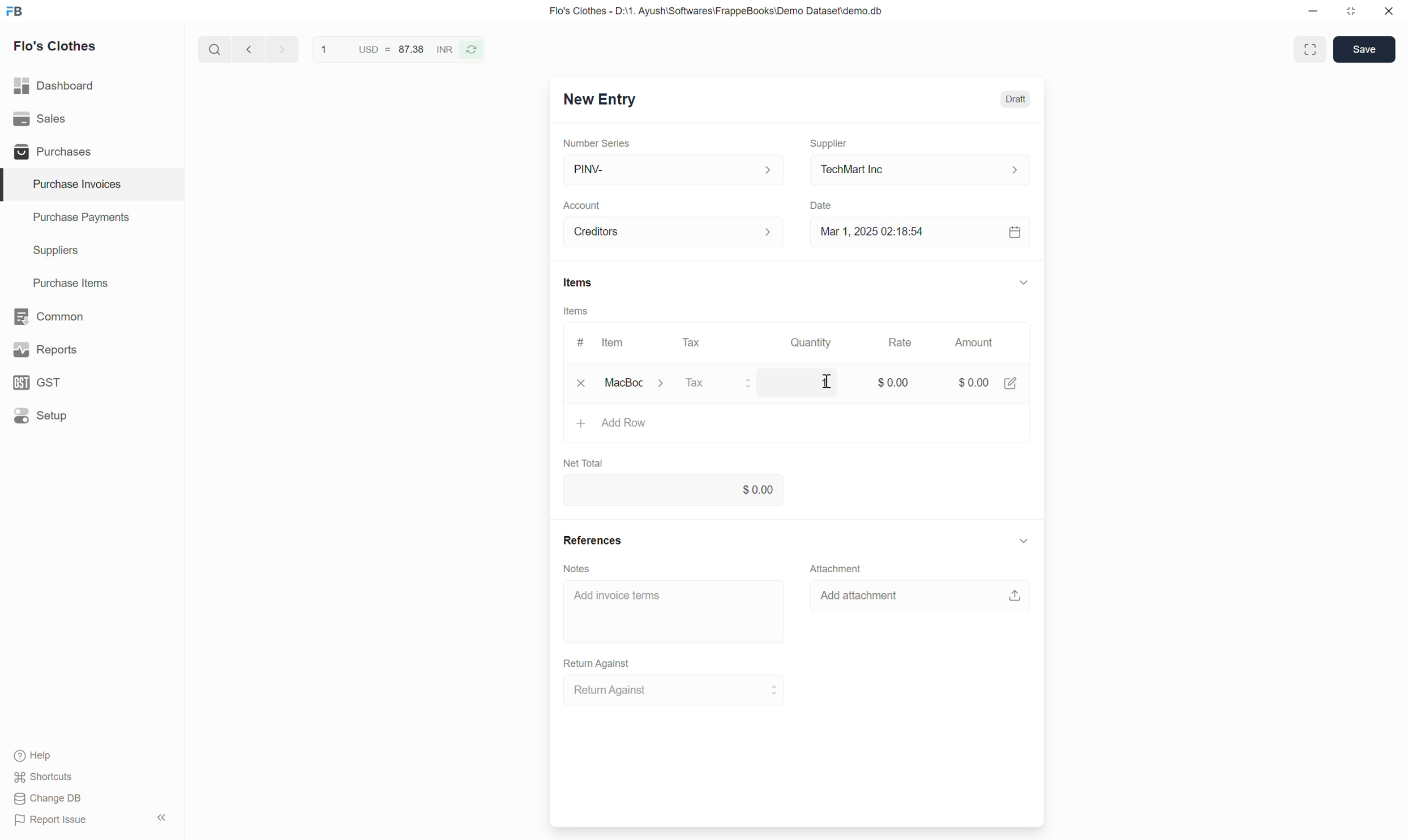 This screenshot has width=1408, height=840. What do you see at coordinates (724, 384) in the screenshot?
I see `Tax` at bounding box center [724, 384].